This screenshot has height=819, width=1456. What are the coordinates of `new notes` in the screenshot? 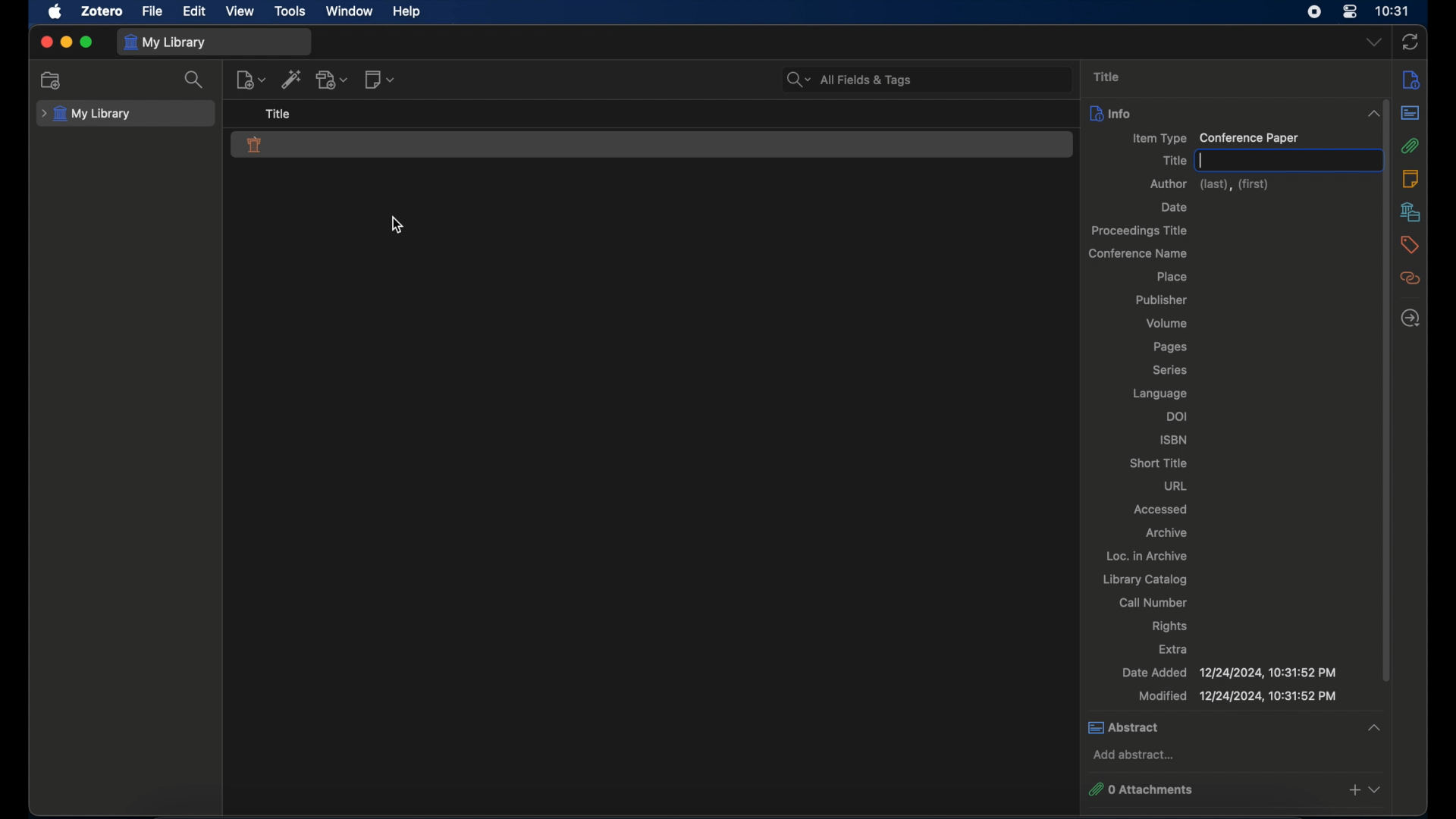 It's located at (379, 78).